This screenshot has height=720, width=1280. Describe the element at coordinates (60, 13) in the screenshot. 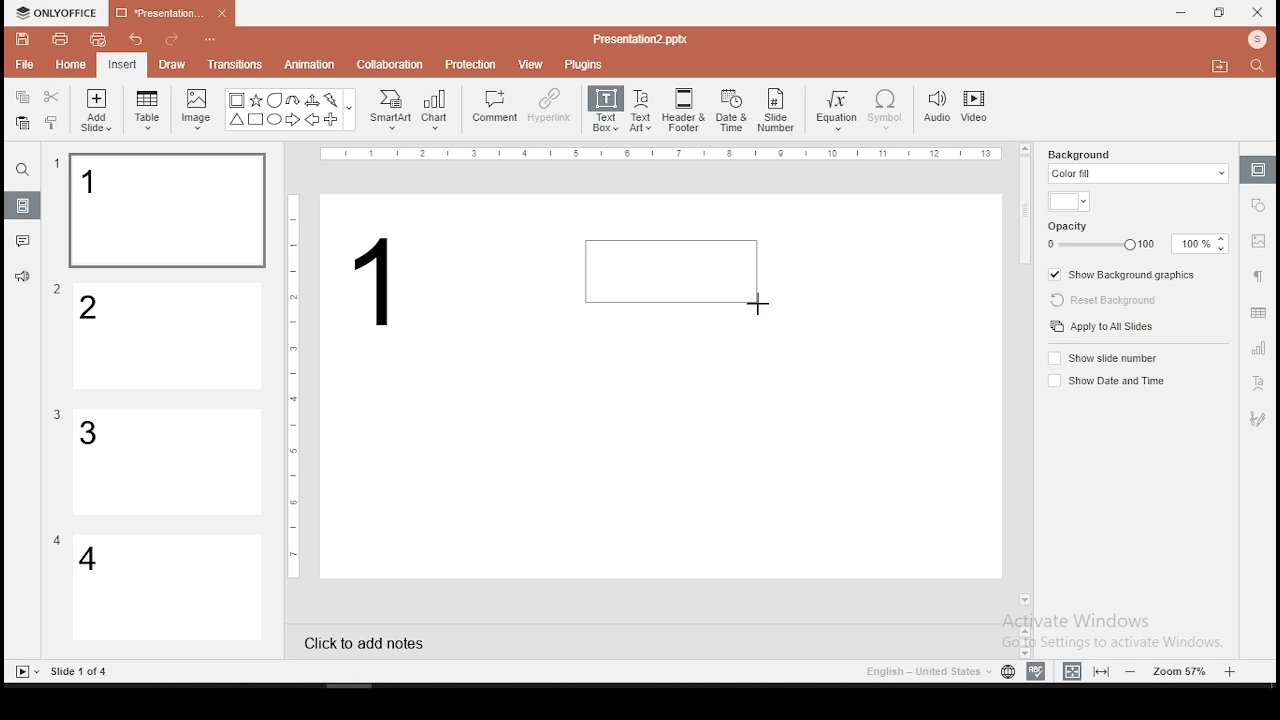

I see `icon` at that location.